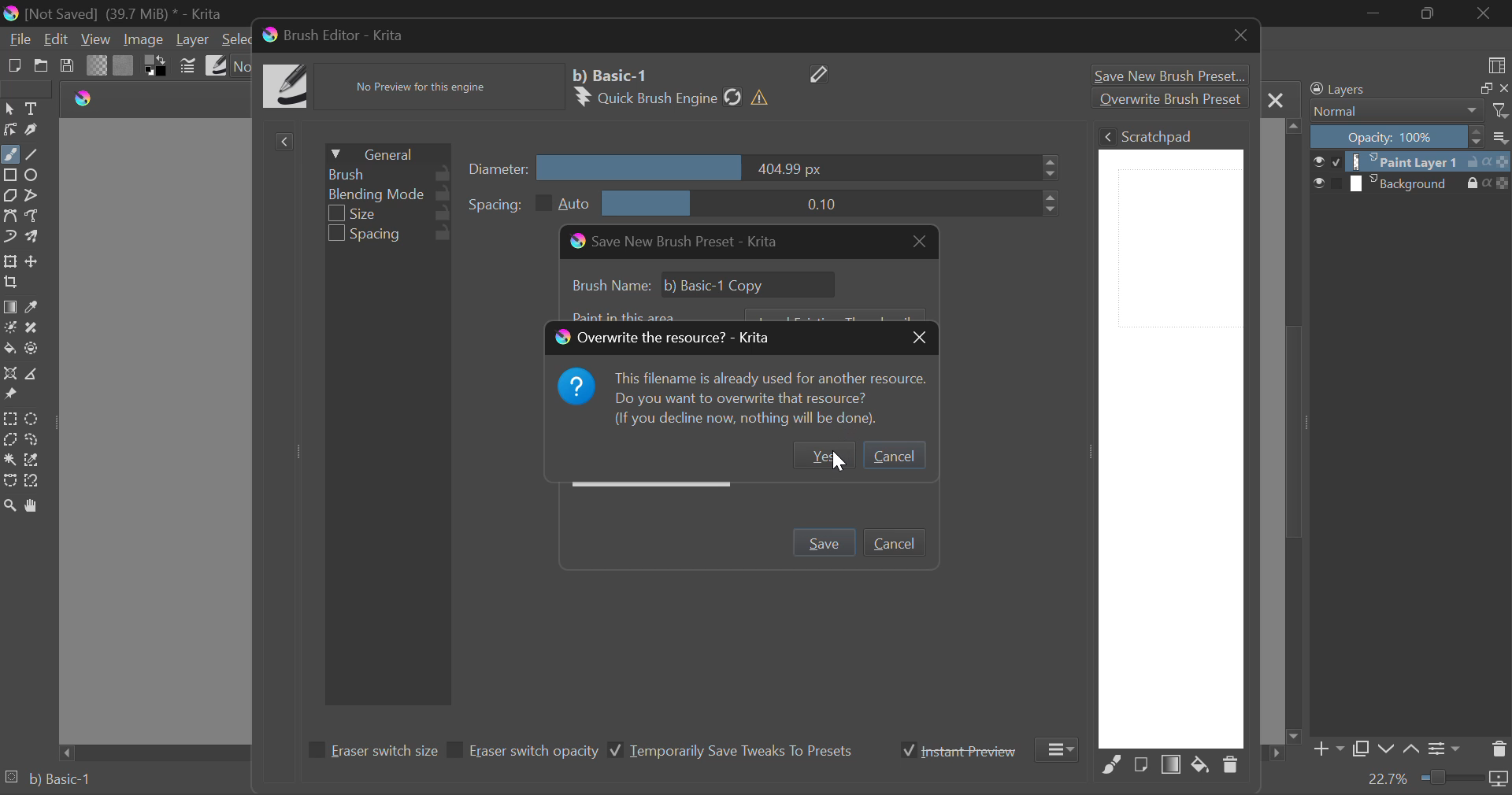  Describe the element at coordinates (9, 460) in the screenshot. I see `Continuous Selection` at that location.